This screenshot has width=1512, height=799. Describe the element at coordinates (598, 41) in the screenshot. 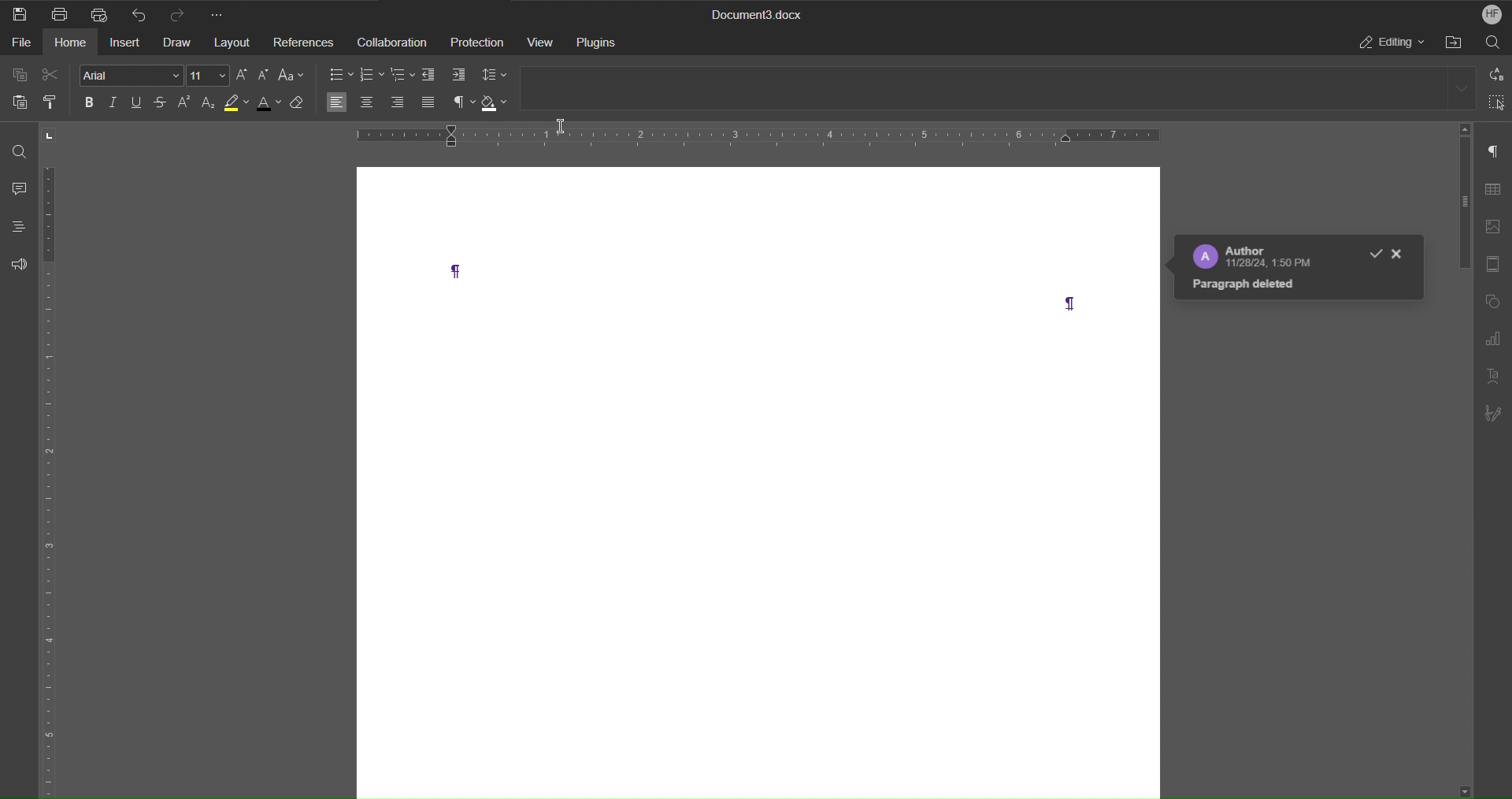

I see `Plugins` at that location.